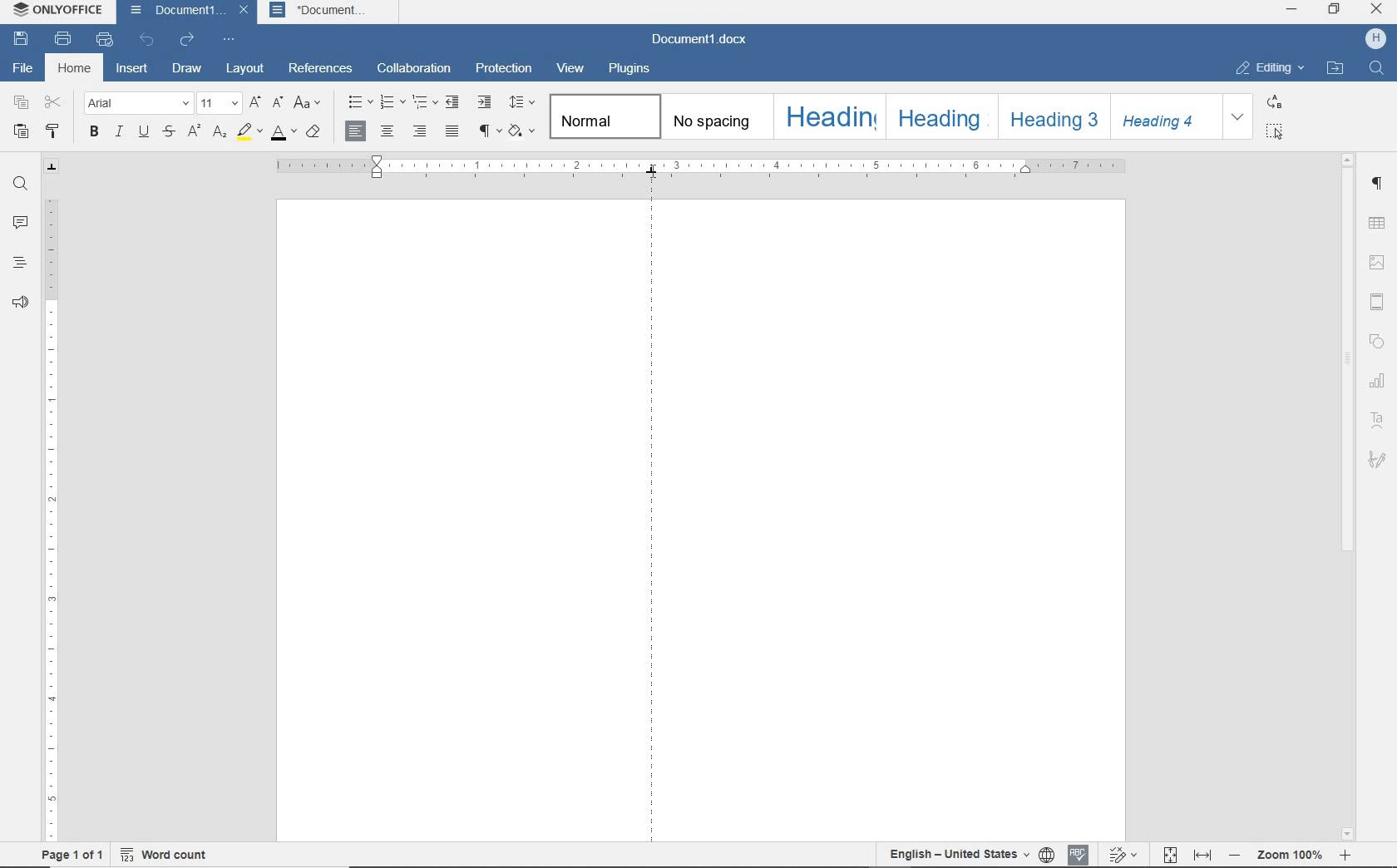  What do you see at coordinates (425, 101) in the screenshot?
I see `MULTILEVEL LIST` at bounding box center [425, 101].